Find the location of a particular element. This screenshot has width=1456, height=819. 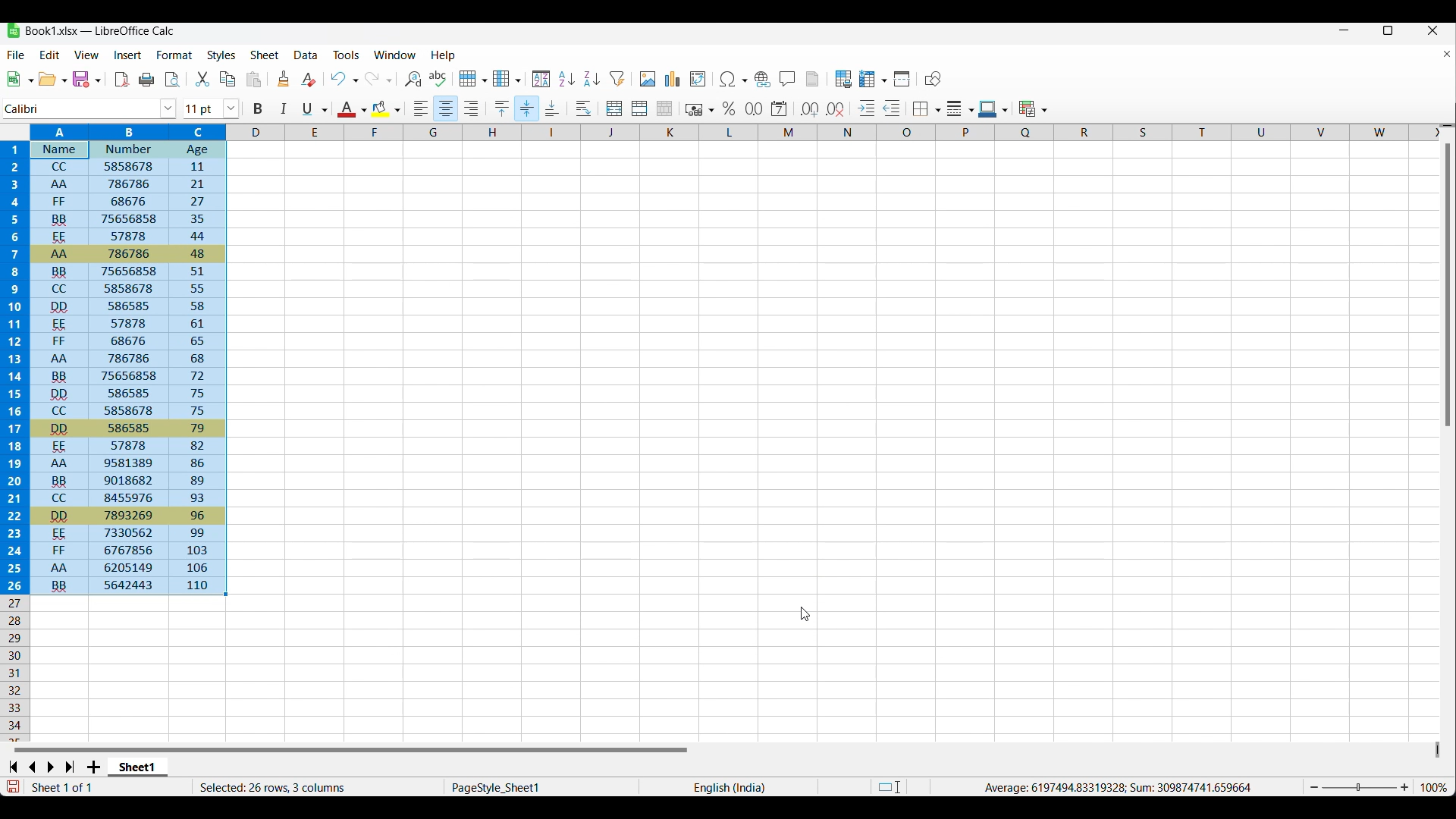

Define print area is located at coordinates (844, 79).